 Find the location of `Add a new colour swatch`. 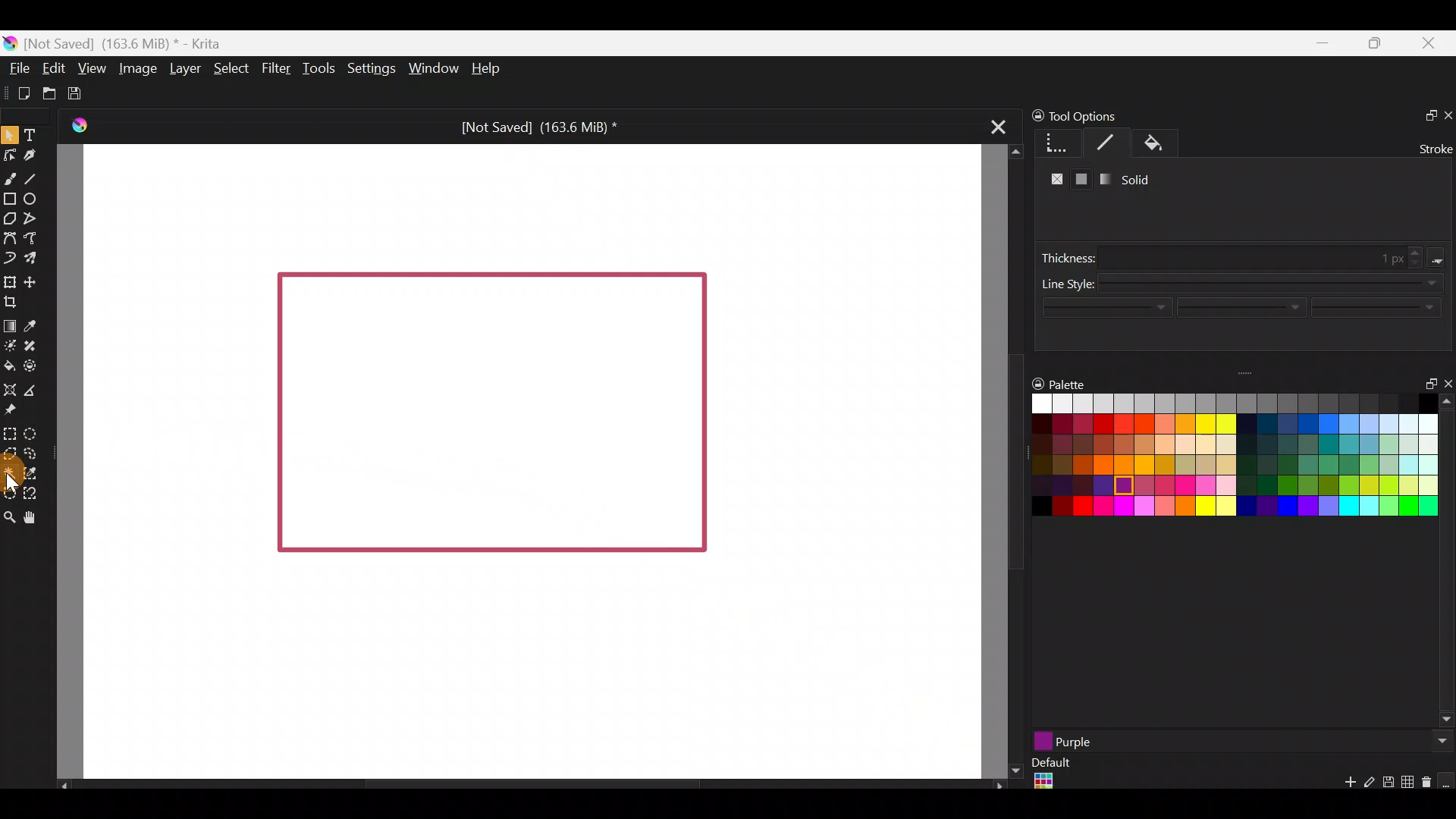

Add a new colour swatch is located at coordinates (1342, 786).